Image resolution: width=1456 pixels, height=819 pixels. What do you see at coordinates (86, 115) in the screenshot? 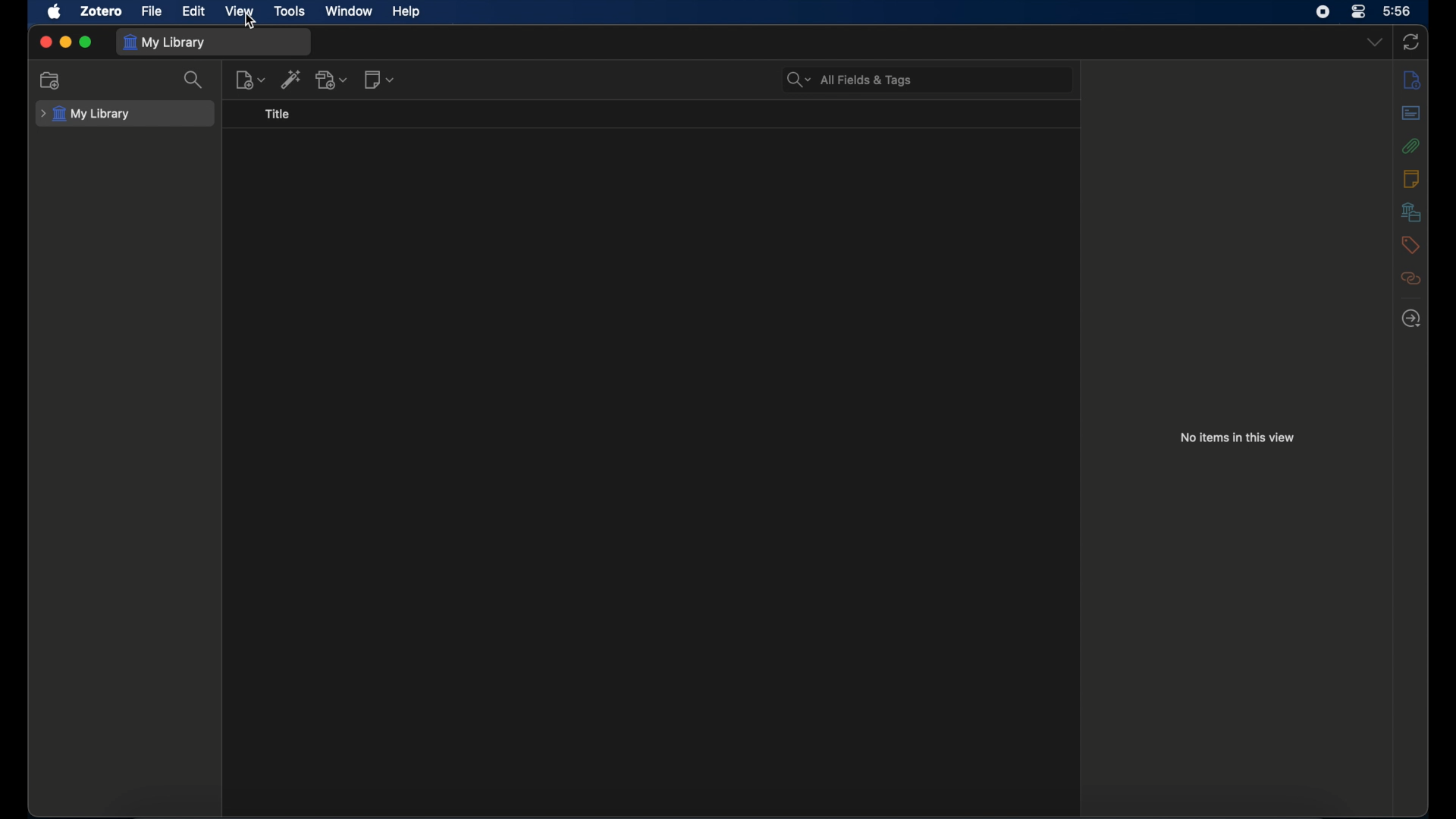
I see `my library` at bounding box center [86, 115].